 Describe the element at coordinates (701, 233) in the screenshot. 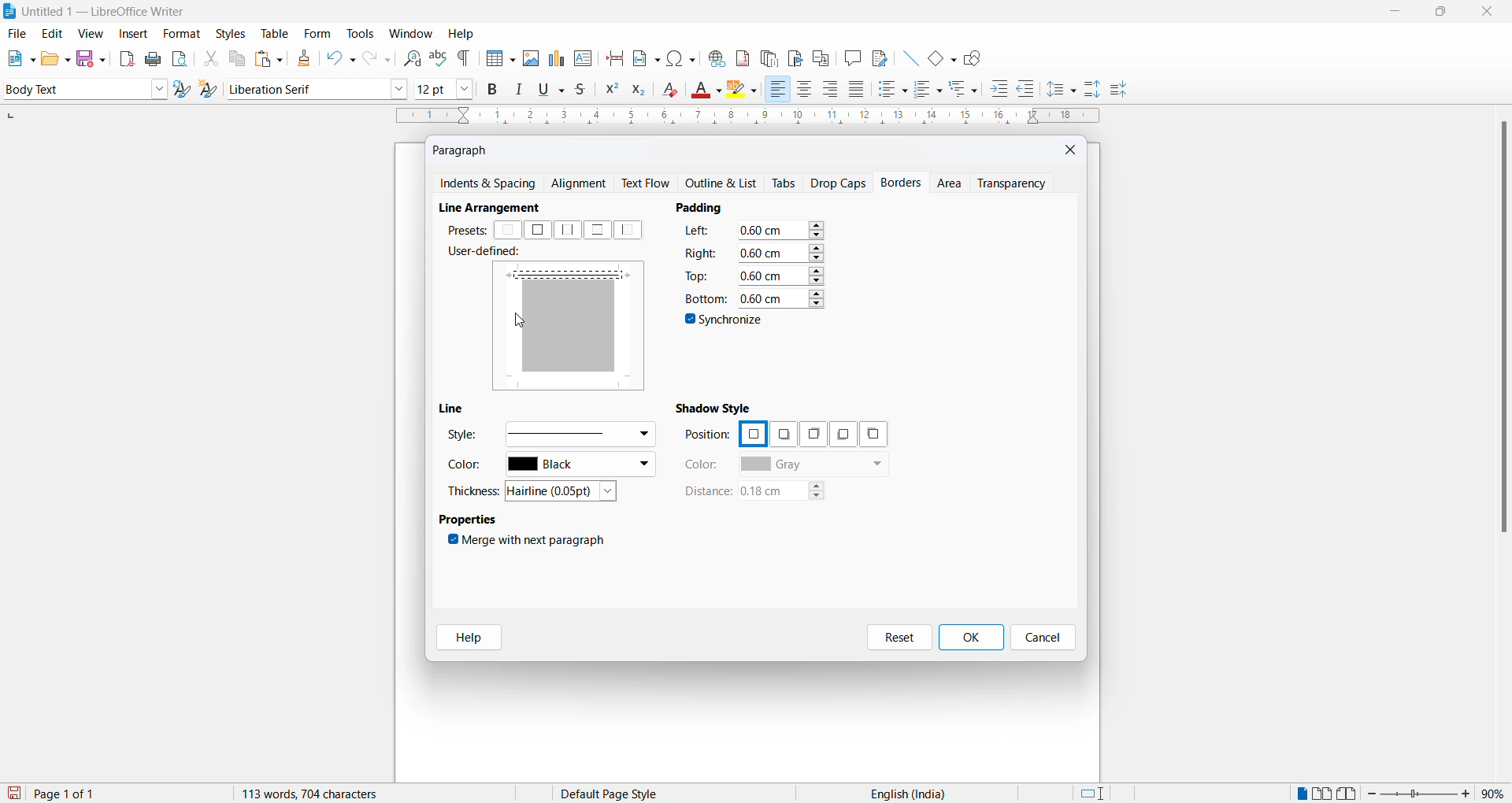

I see `sides` at that location.